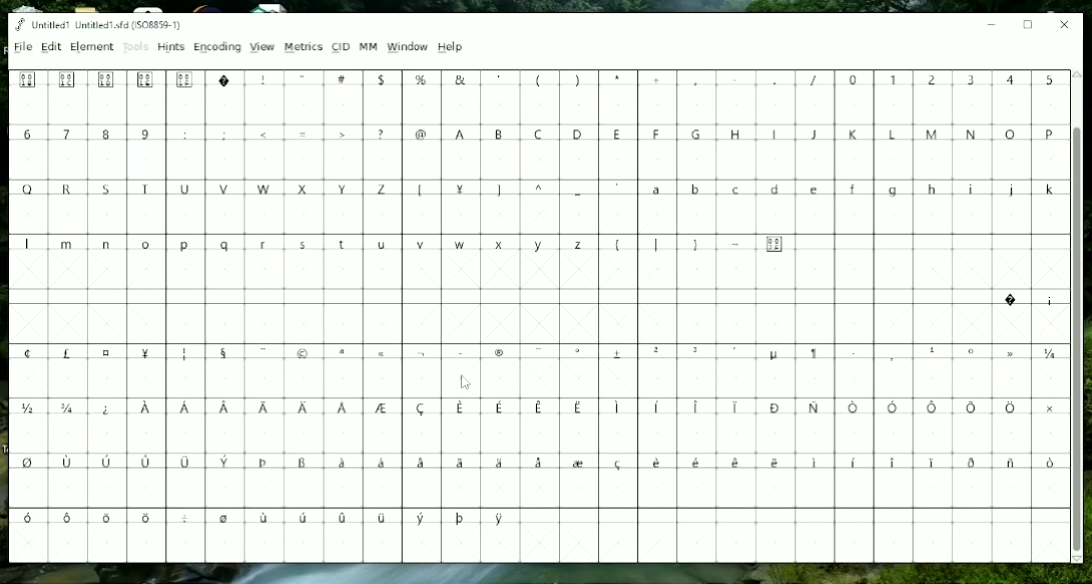  Describe the element at coordinates (90, 134) in the screenshot. I see `Numbers` at that location.